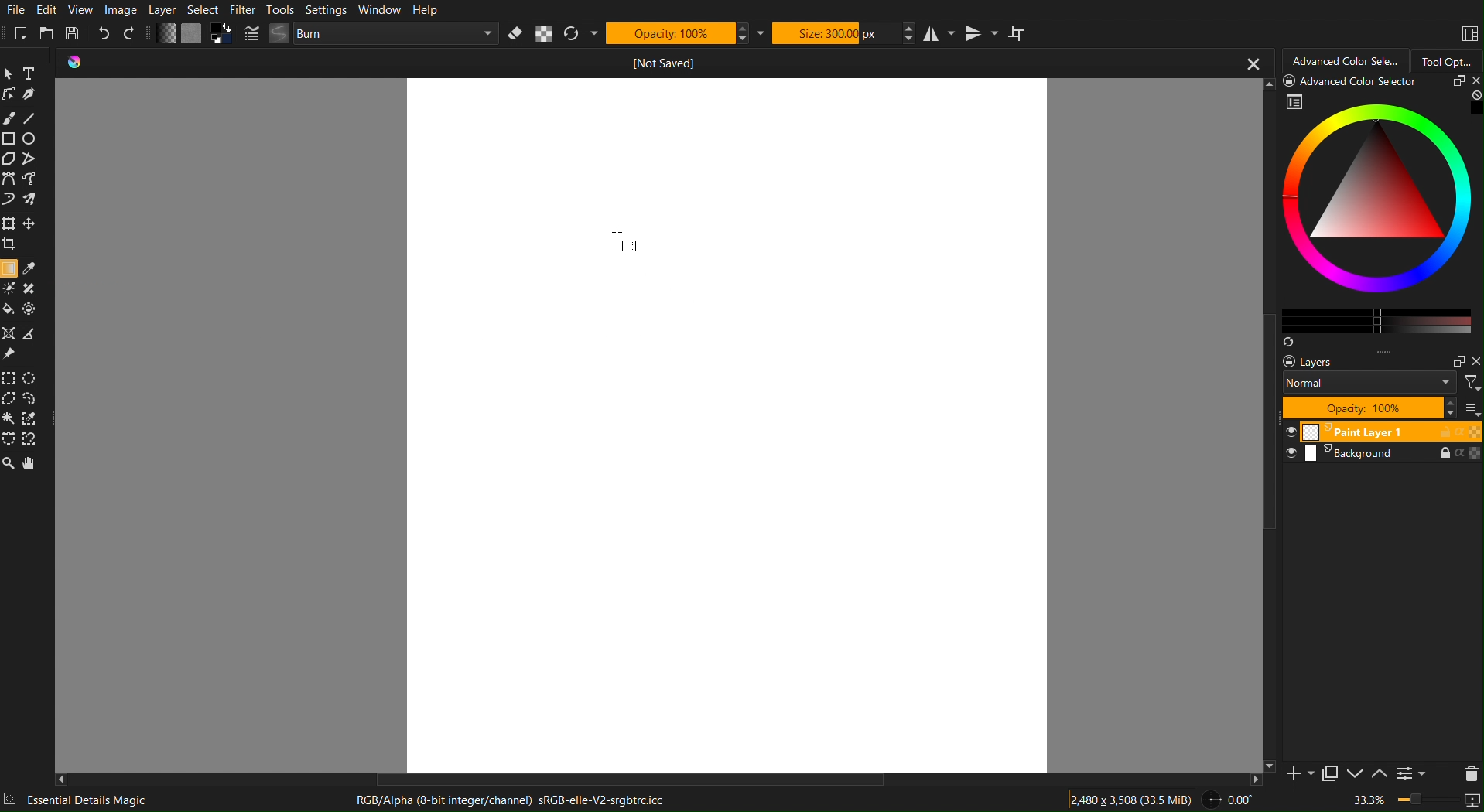 The width and height of the screenshot is (1484, 812). Describe the element at coordinates (1353, 775) in the screenshot. I see `Down` at that location.